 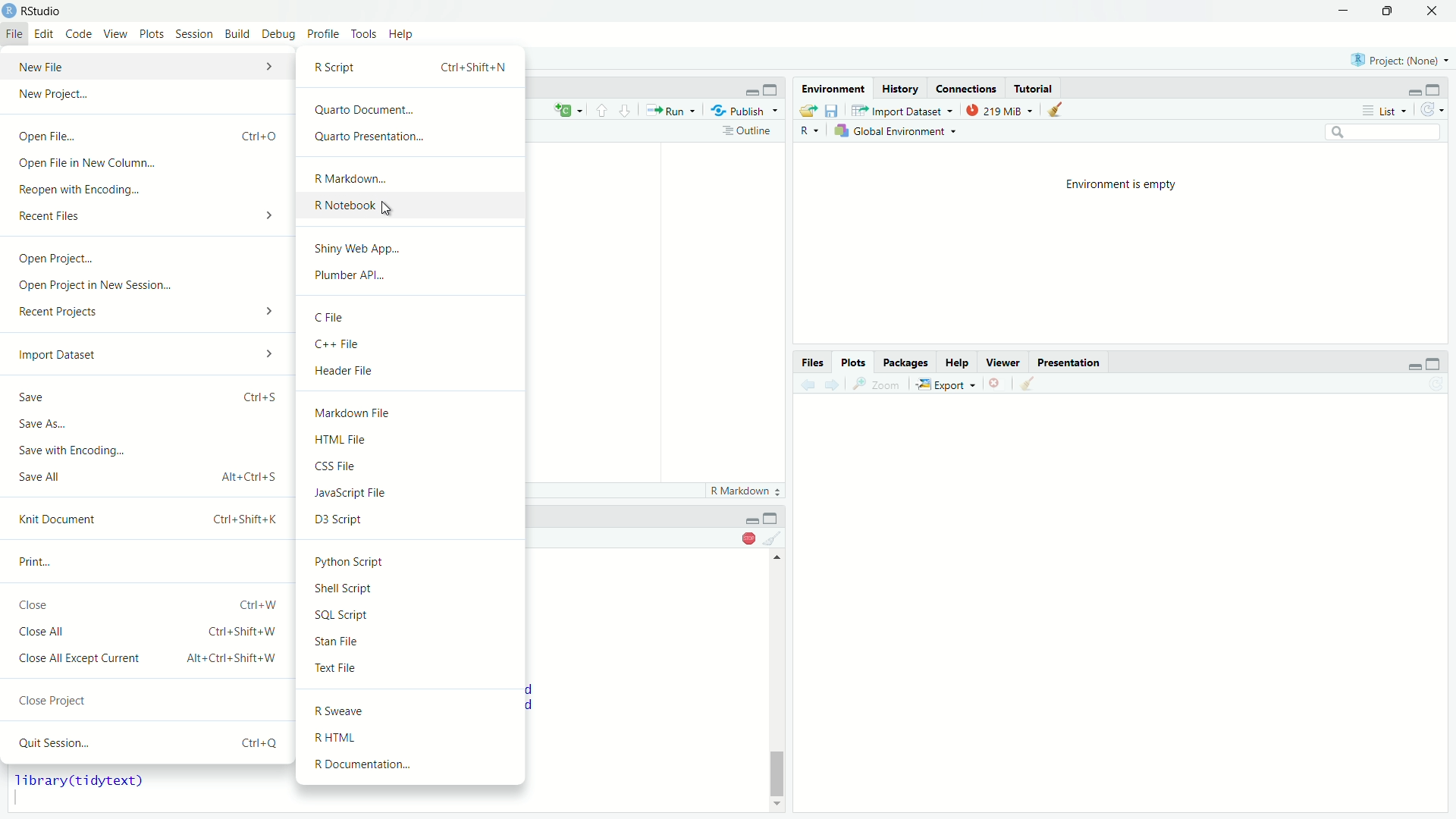 What do you see at coordinates (322, 35) in the screenshot?
I see `Profile` at bounding box center [322, 35].